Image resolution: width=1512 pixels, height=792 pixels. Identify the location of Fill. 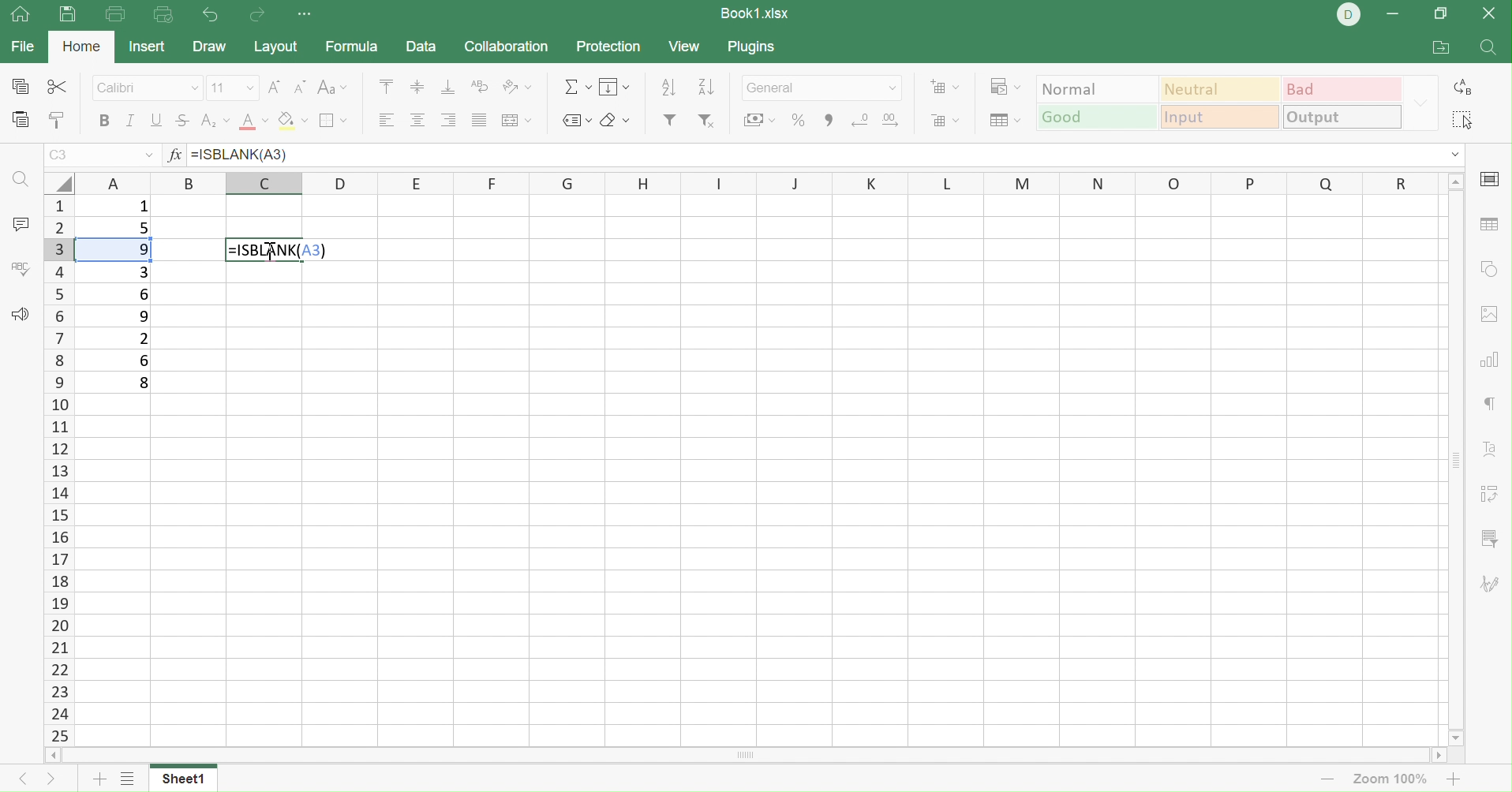
(615, 86).